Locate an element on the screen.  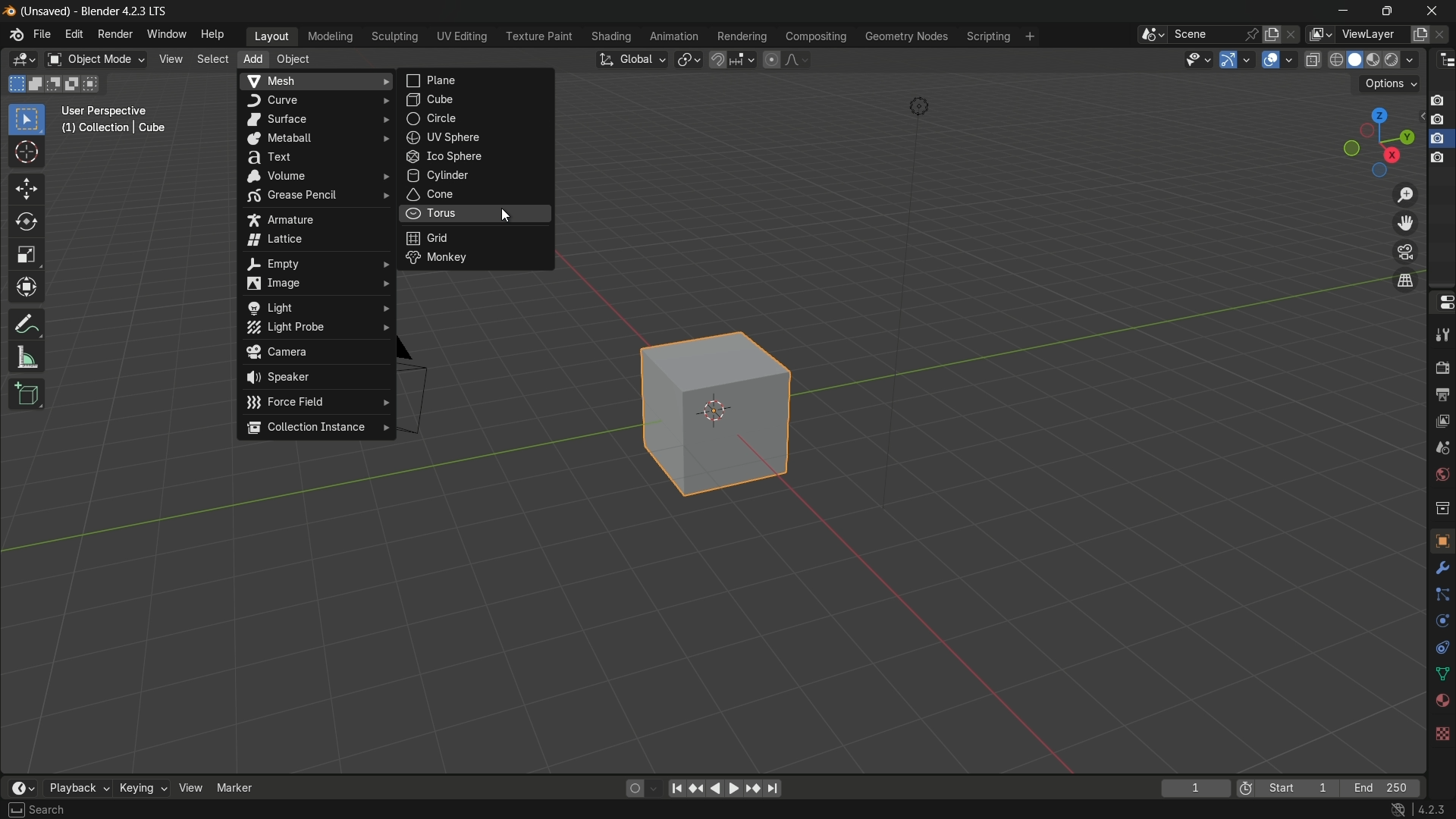
rendering is located at coordinates (742, 37).